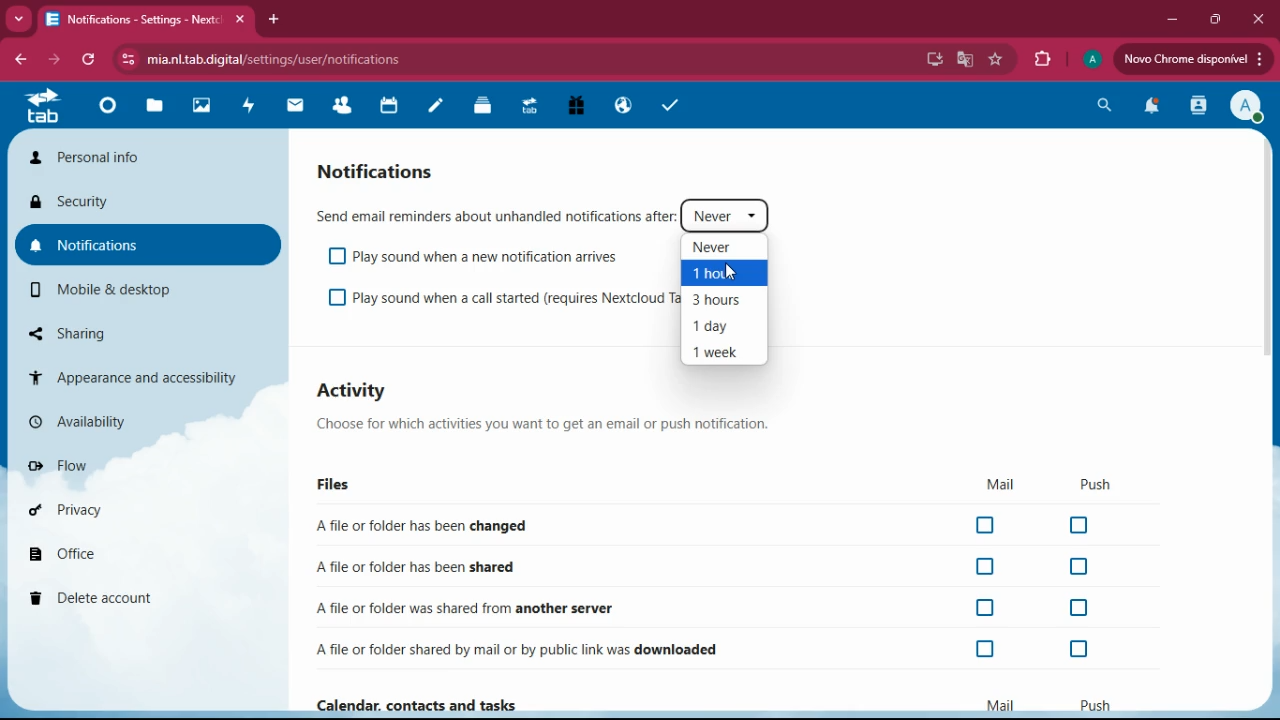  What do you see at coordinates (1092, 62) in the screenshot?
I see `profile` at bounding box center [1092, 62].